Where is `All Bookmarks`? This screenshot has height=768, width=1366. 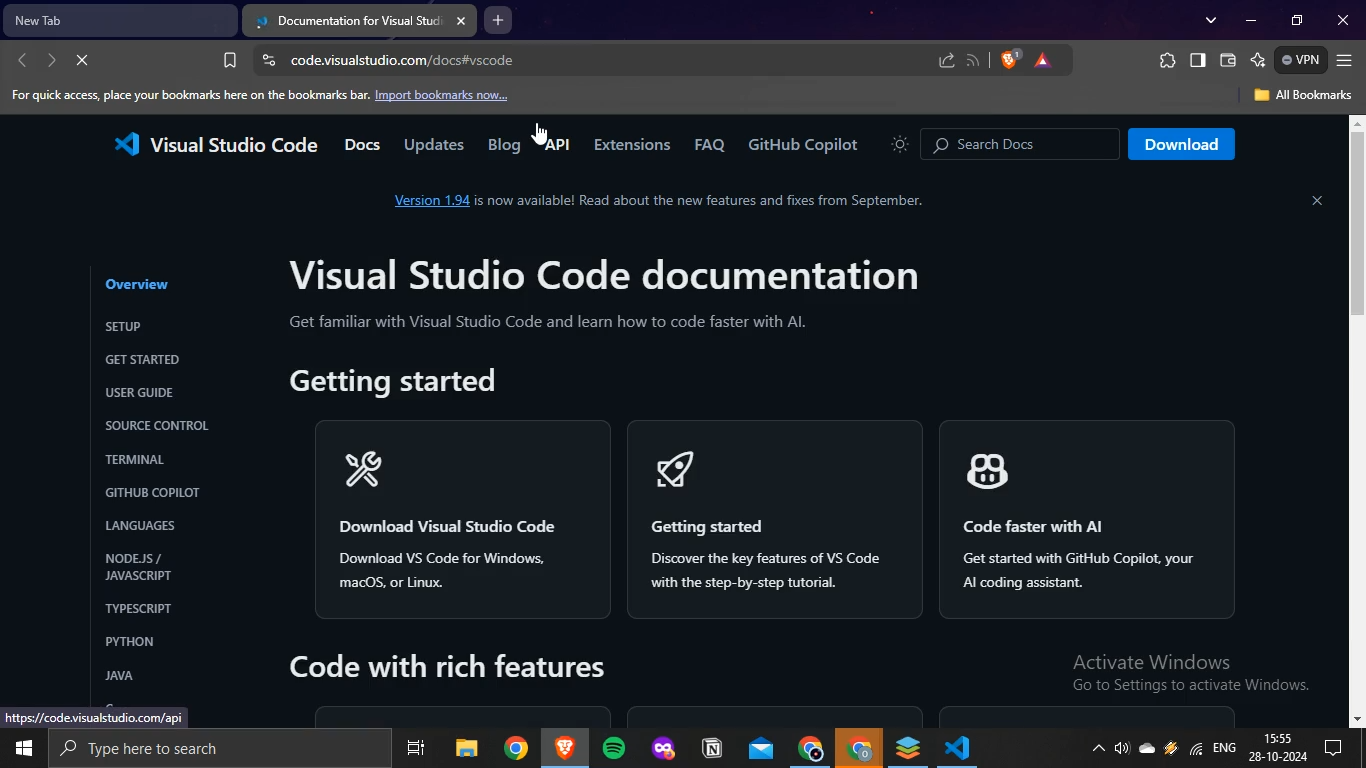
All Bookmarks is located at coordinates (1304, 97).